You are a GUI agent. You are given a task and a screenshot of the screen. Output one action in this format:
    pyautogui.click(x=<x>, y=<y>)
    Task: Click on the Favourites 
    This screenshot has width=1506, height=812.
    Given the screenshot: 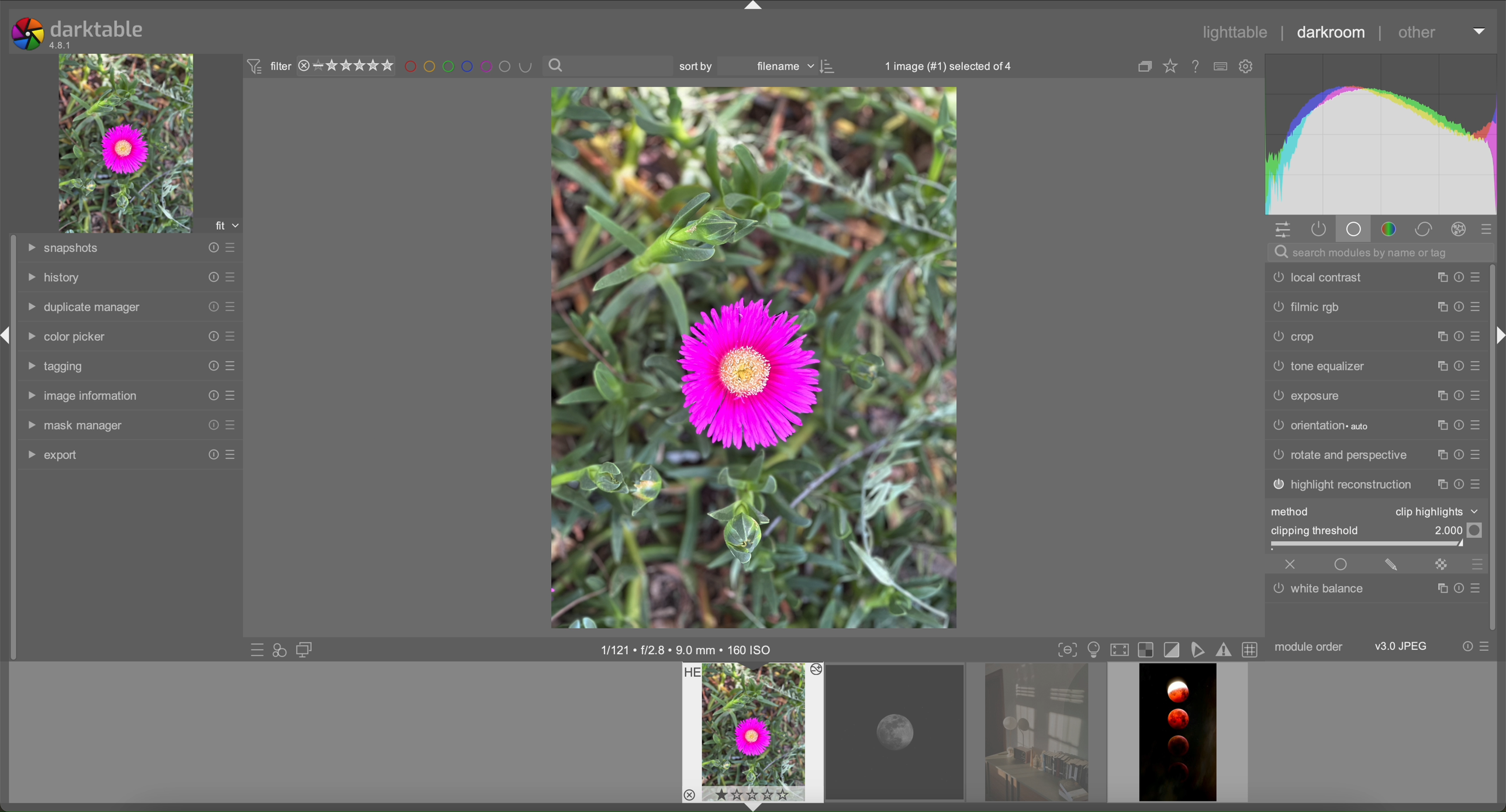 What is the action you would take?
    pyautogui.click(x=1170, y=68)
    